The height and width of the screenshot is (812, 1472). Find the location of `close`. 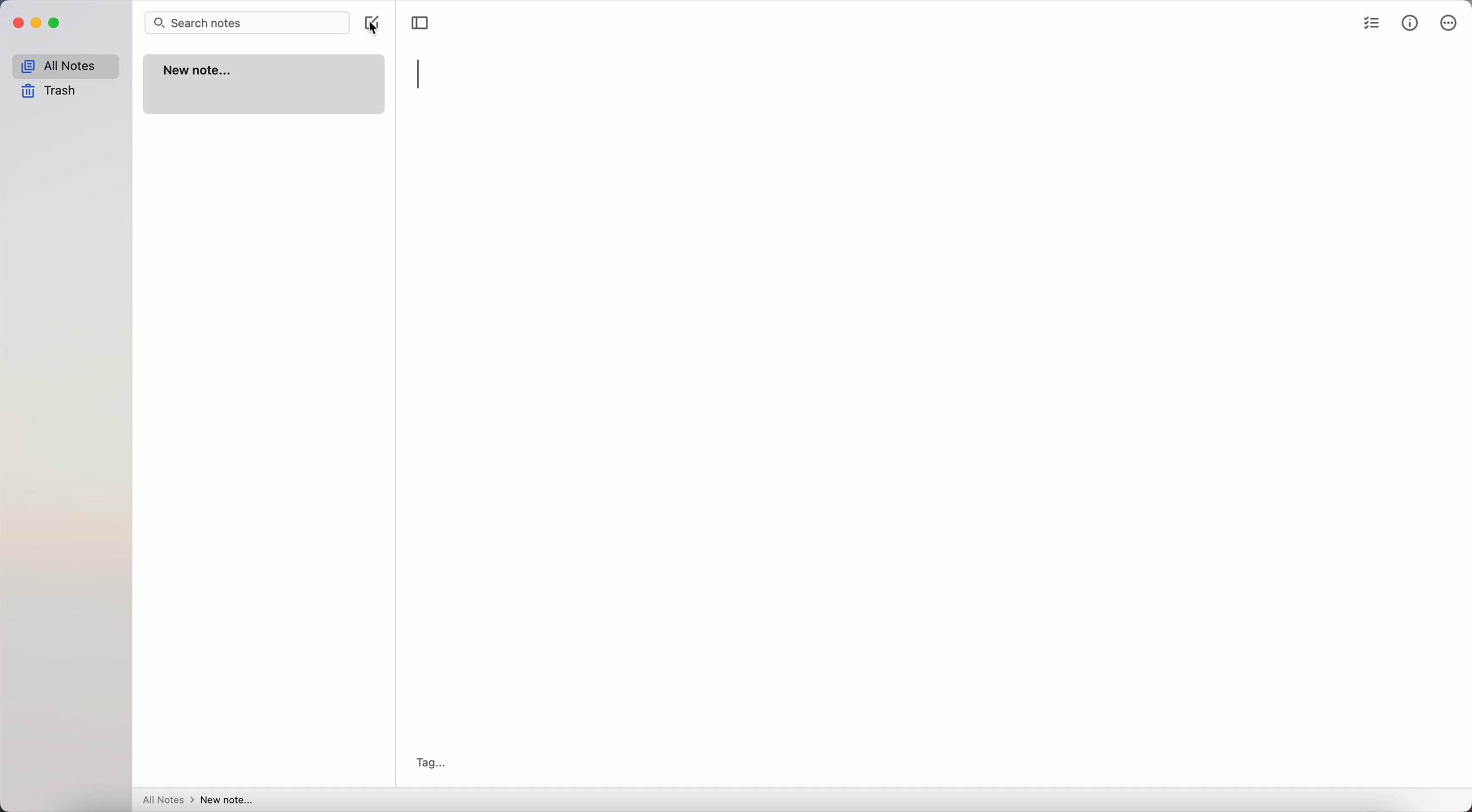

close is located at coordinates (18, 23).